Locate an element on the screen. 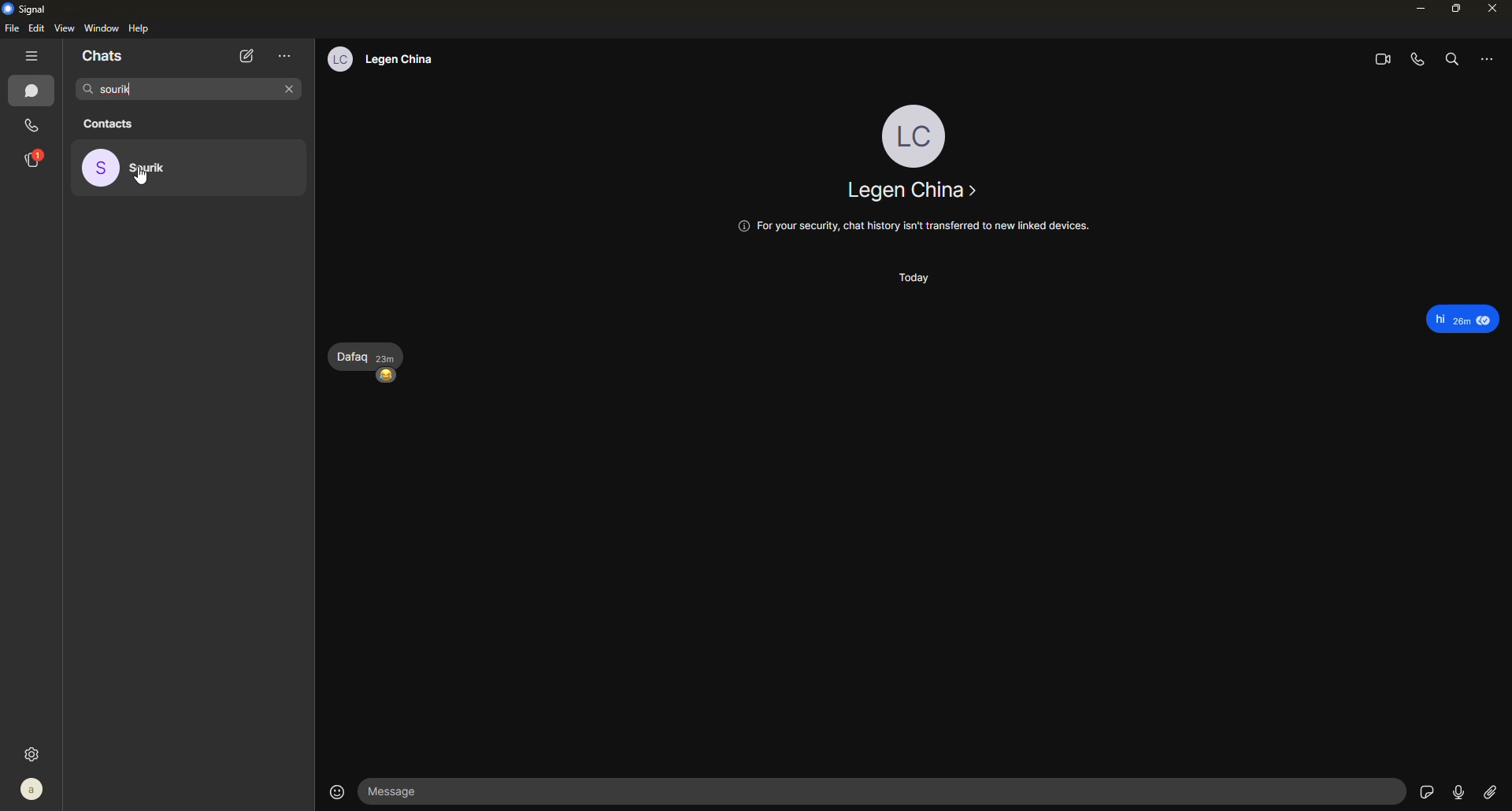 The width and height of the screenshot is (1512, 811). profile is located at coordinates (34, 791).